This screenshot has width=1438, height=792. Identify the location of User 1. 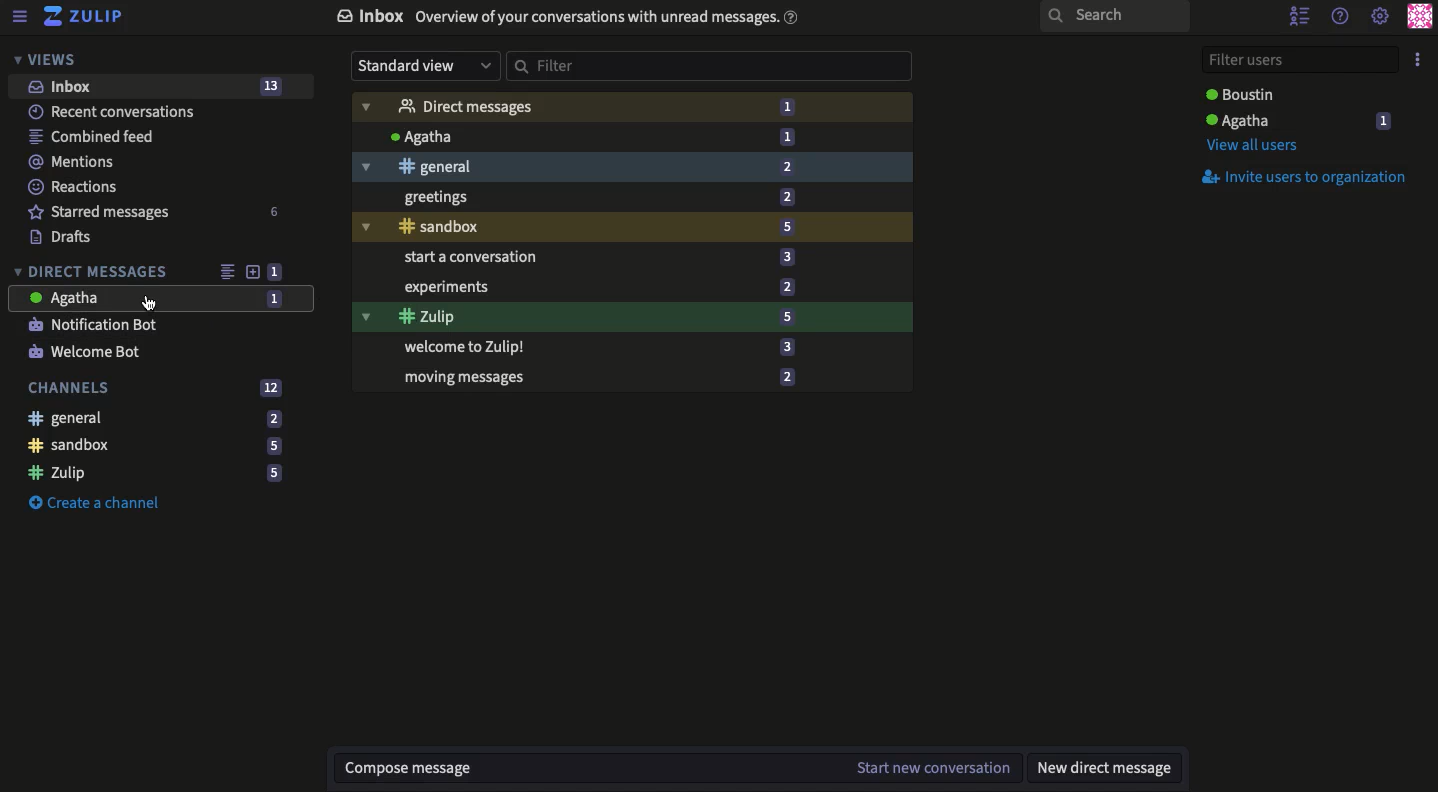
(1298, 120).